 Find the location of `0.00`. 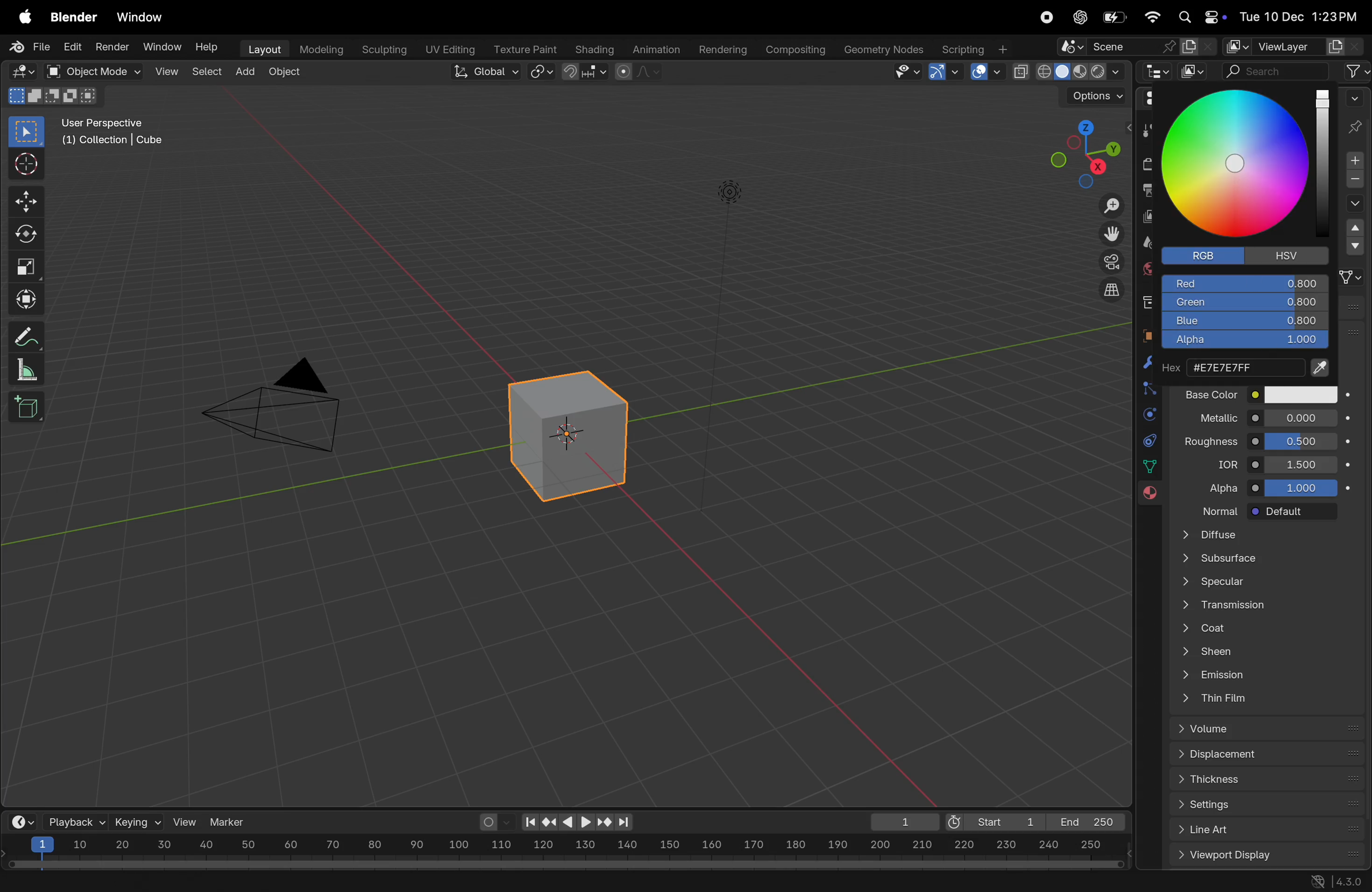

0.00 is located at coordinates (1301, 417).